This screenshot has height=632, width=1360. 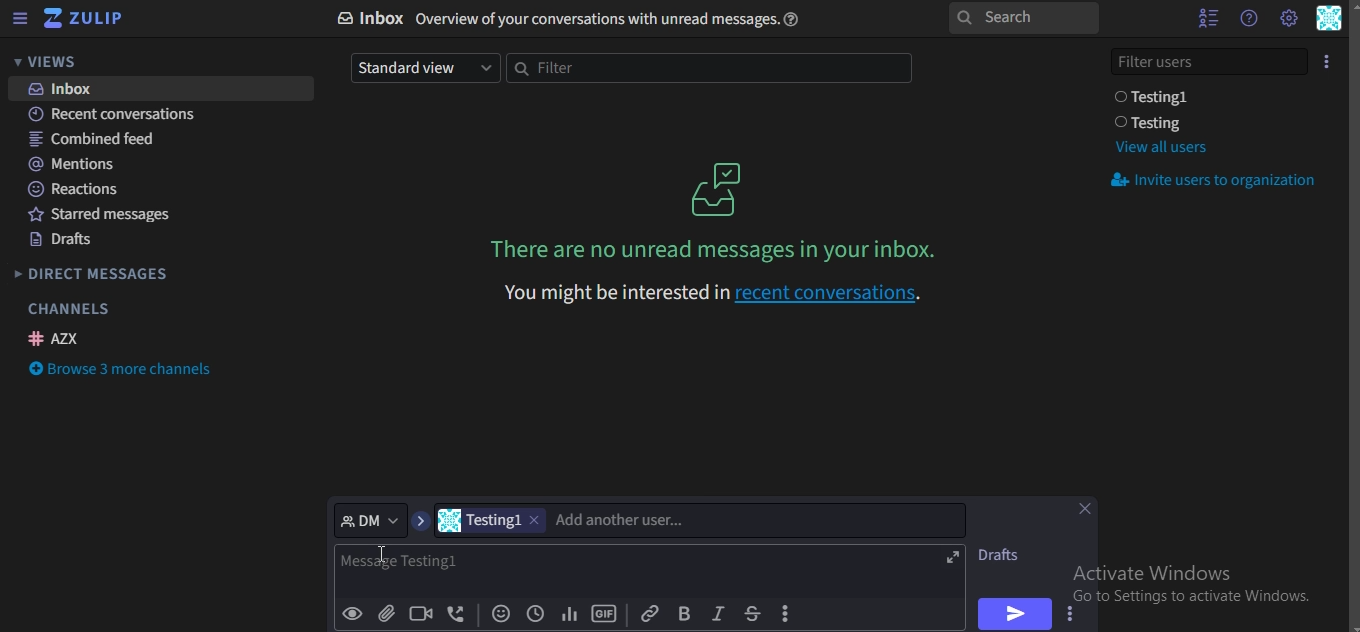 I want to click on vold, so click(x=684, y=613).